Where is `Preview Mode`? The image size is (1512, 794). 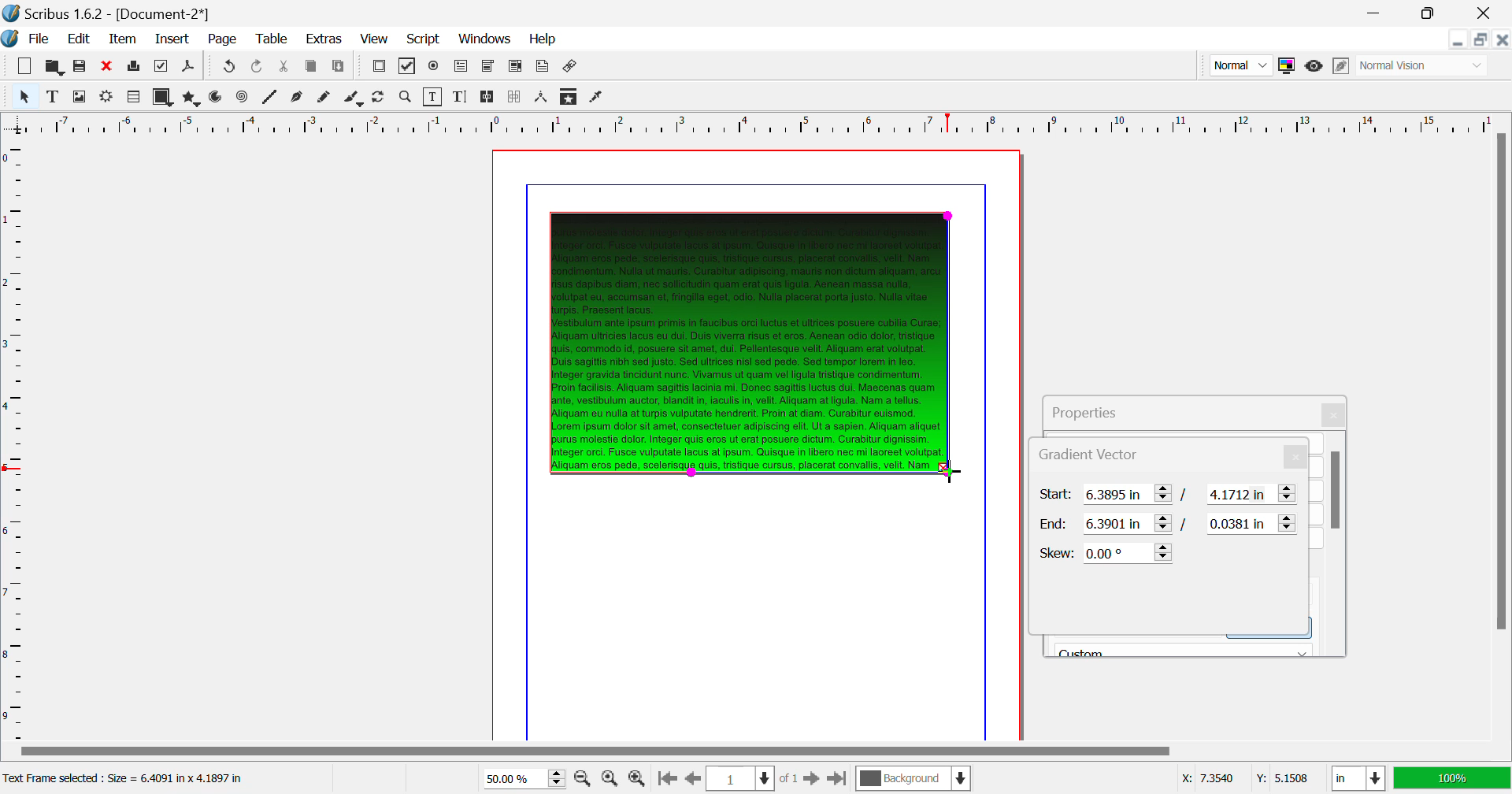
Preview Mode is located at coordinates (1314, 68).